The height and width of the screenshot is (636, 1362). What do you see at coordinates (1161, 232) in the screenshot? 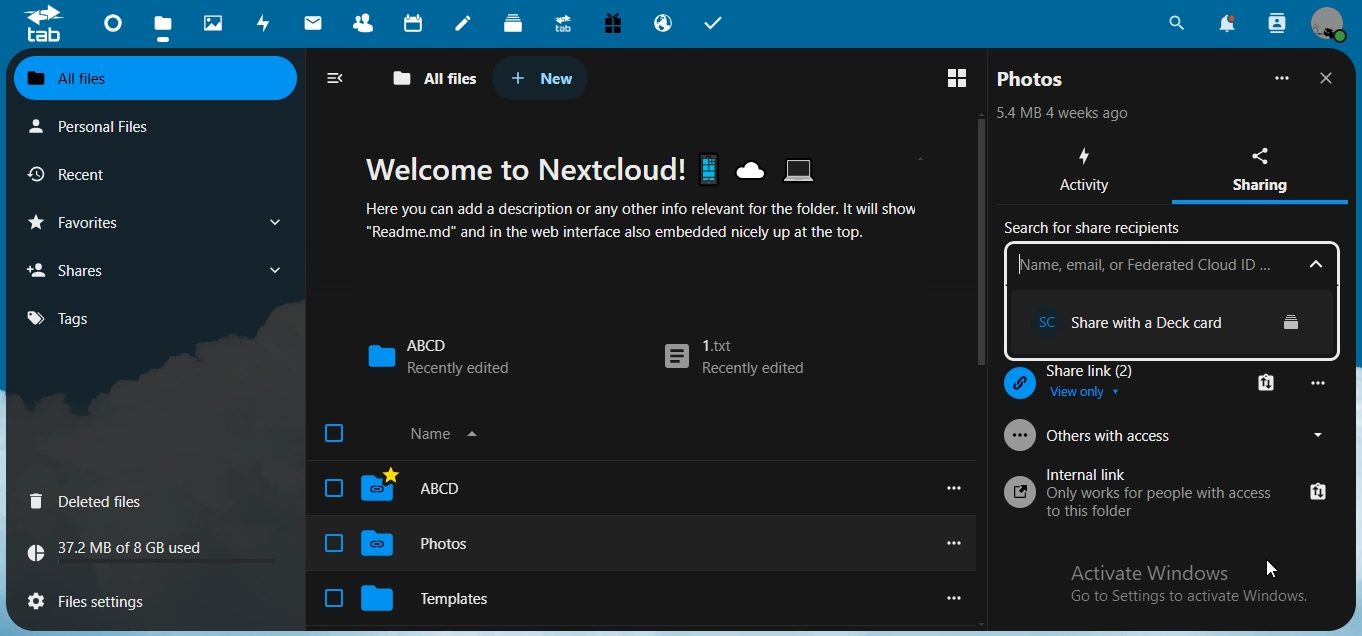
I see `text` at bounding box center [1161, 232].